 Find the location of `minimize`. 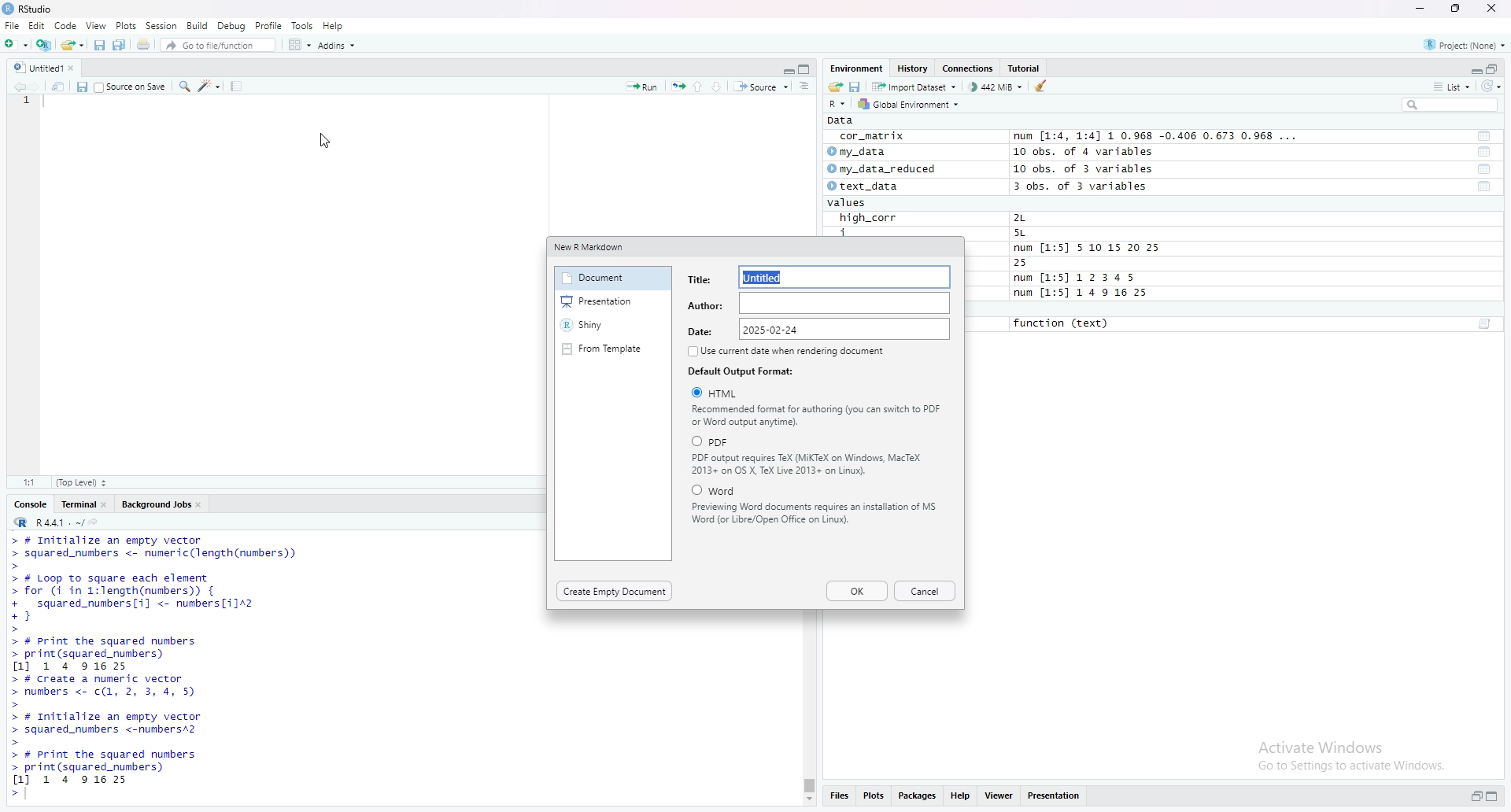

minimize is located at coordinates (1472, 798).